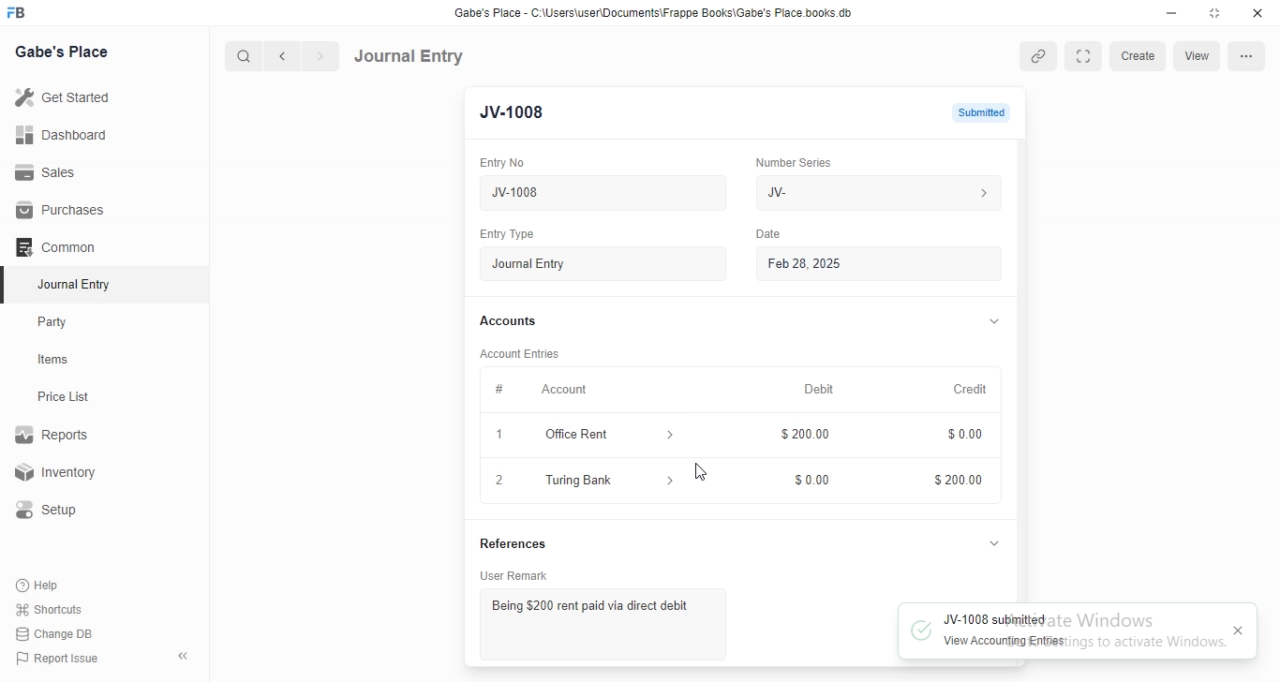 The width and height of the screenshot is (1280, 682). What do you see at coordinates (519, 322) in the screenshot?
I see `Accounts` at bounding box center [519, 322].